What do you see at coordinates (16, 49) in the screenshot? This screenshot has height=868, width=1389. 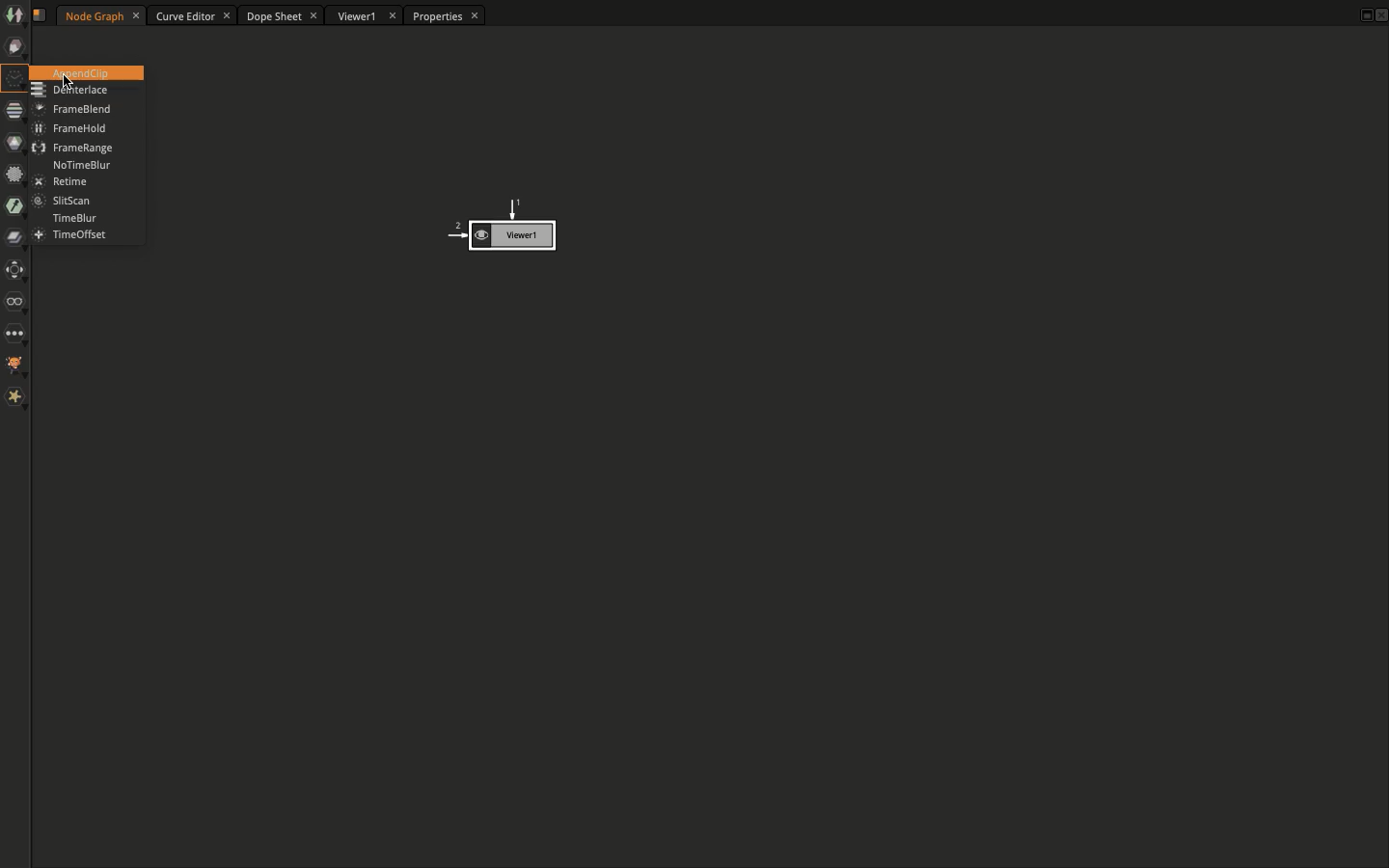 I see `Draw` at bounding box center [16, 49].